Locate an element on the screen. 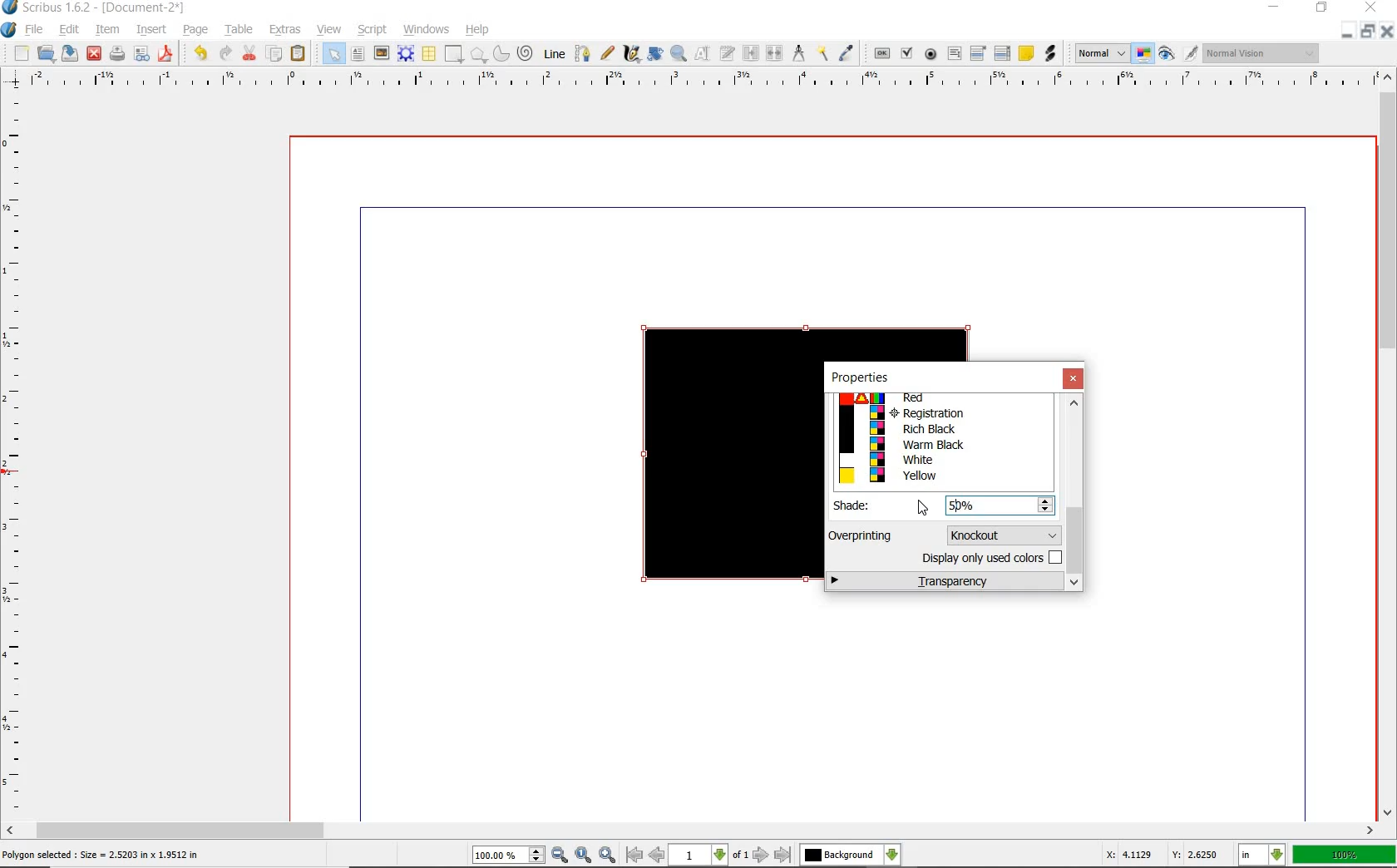 The width and height of the screenshot is (1397, 868). preview mode is located at coordinates (1167, 56).